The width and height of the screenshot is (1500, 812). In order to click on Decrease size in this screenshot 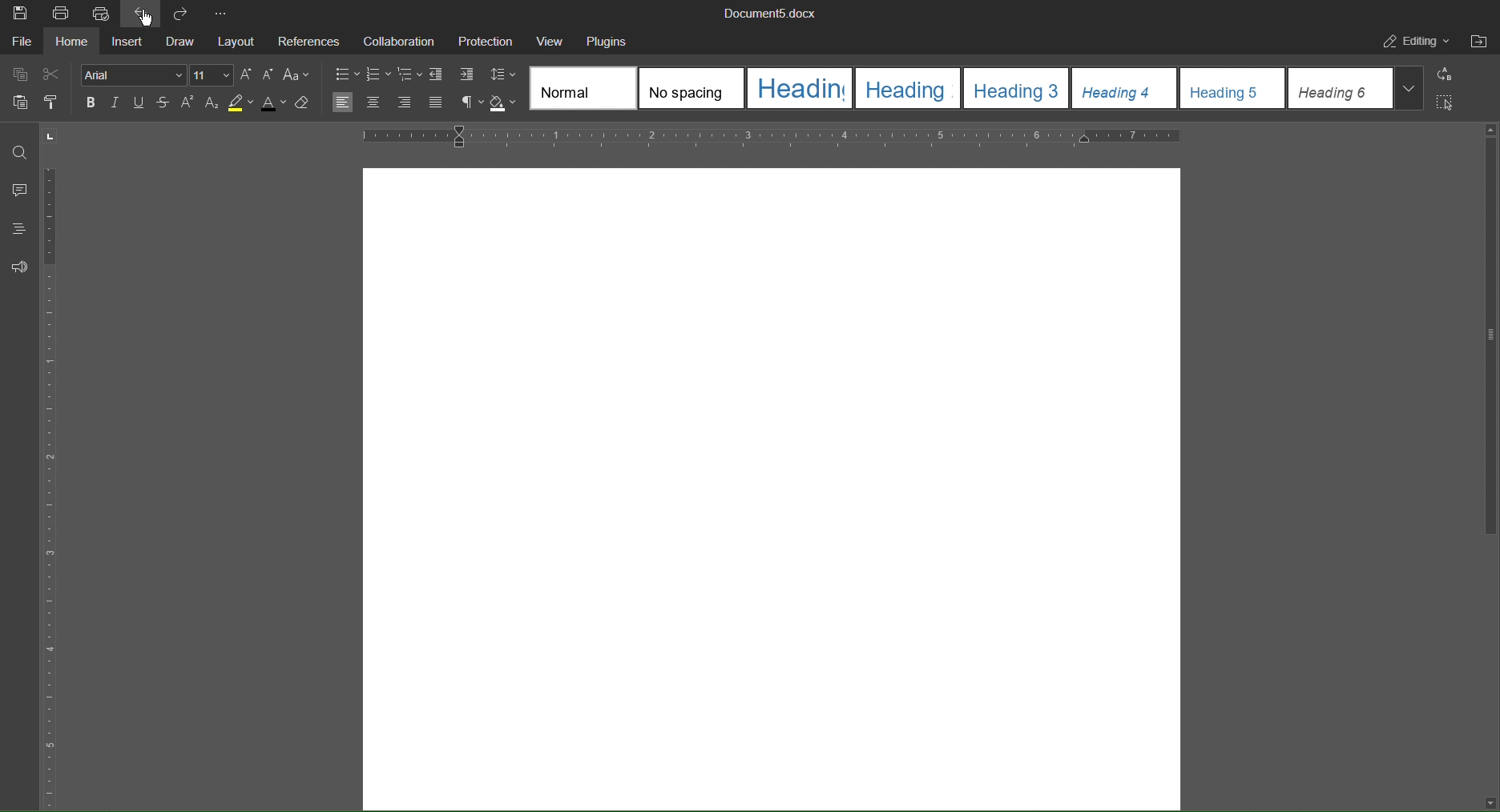, I will do `click(269, 74)`.